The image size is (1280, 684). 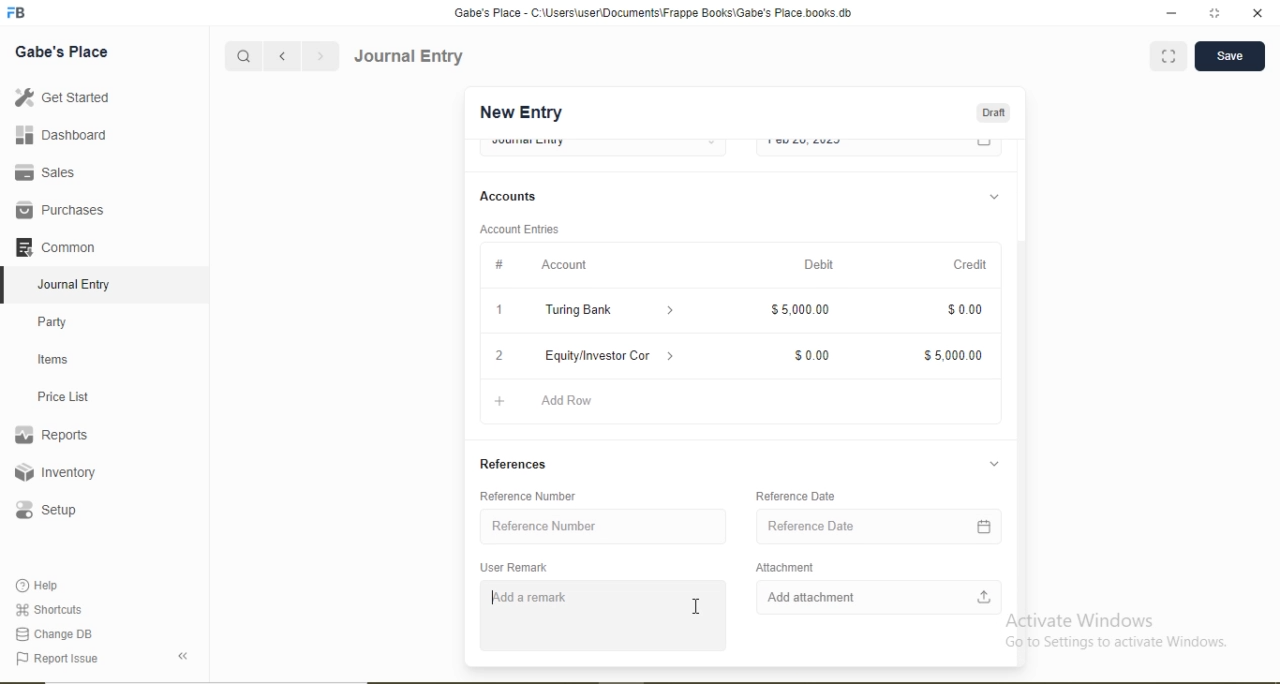 What do you see at coordinates (61, 96) in the screenshot?
I see `Get Started` at bounding box center [61, 96].